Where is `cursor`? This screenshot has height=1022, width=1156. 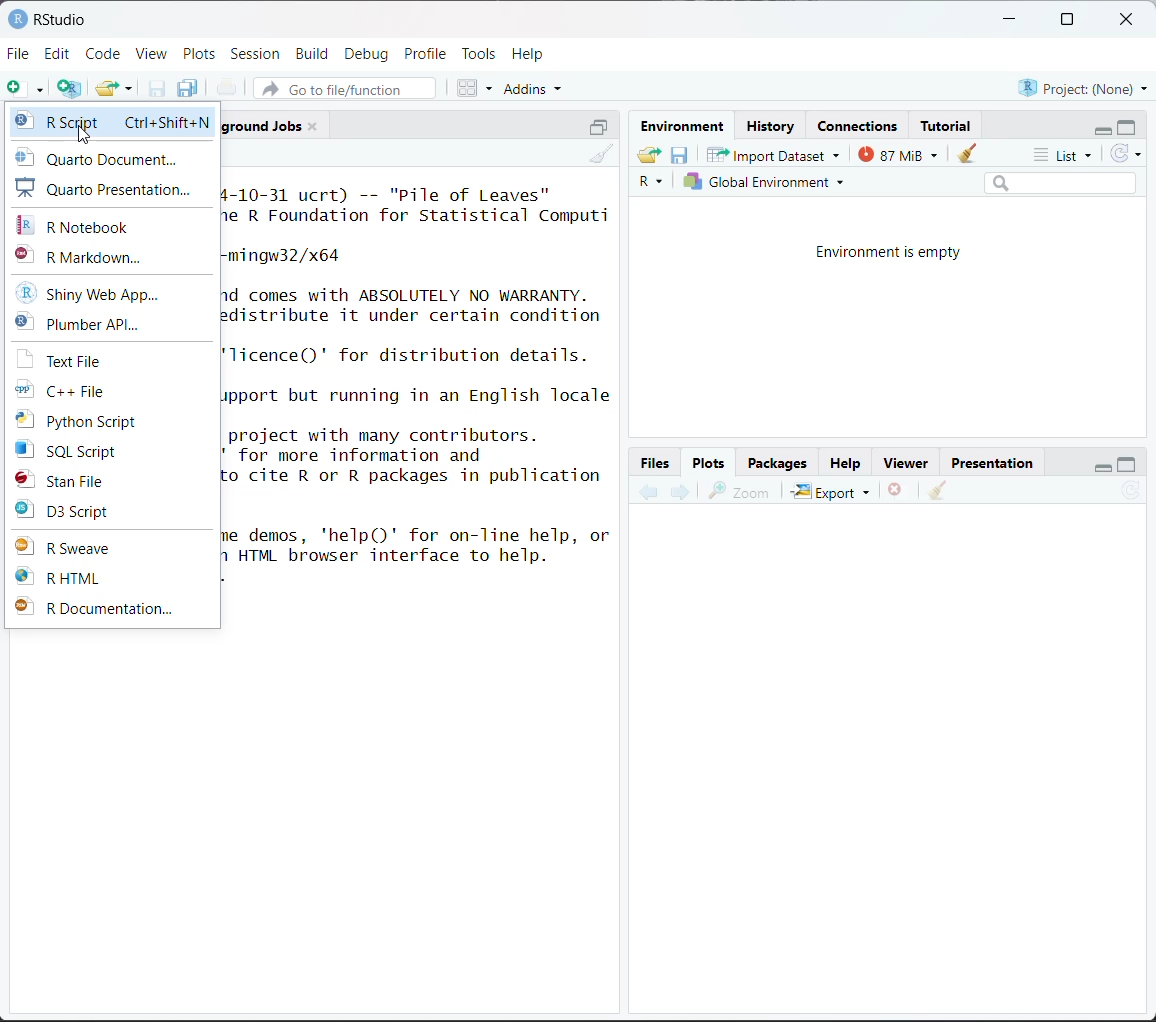
cursor is located at coordinates (83, 137).